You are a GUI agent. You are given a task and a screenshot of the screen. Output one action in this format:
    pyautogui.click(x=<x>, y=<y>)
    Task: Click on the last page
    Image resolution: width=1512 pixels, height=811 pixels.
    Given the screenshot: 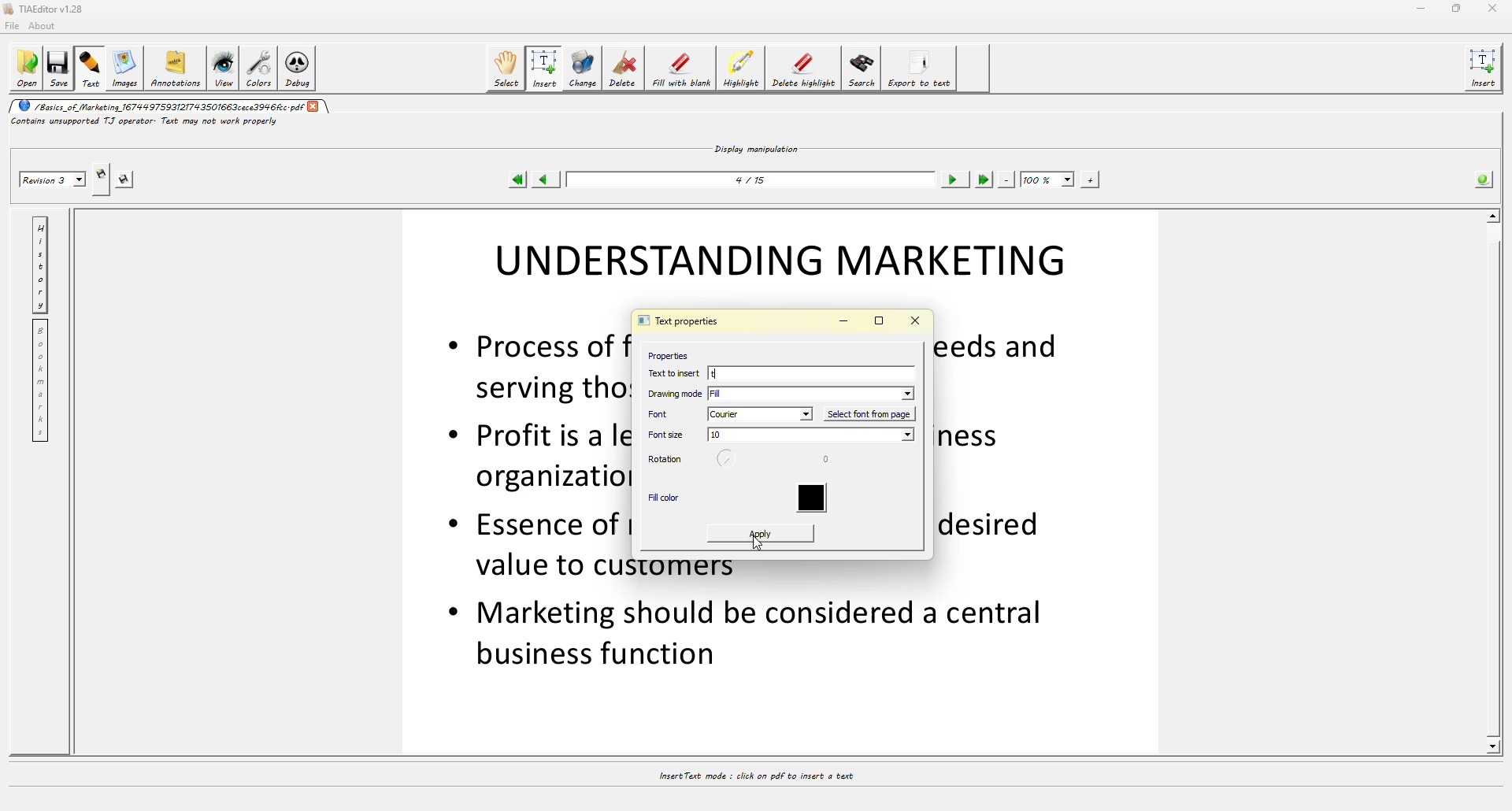 What is the action you would take?
    pyautogui.click(x=984, y=180)
    